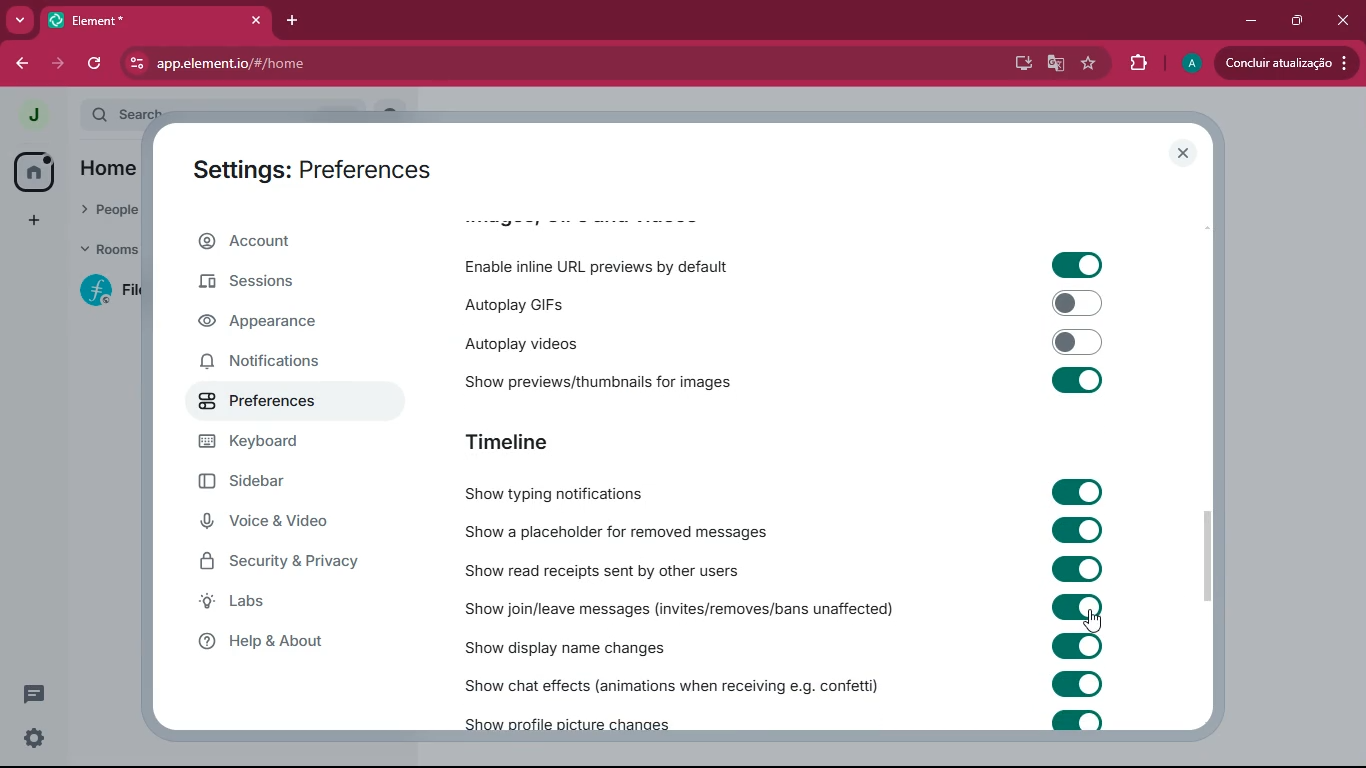 This screenshot has width=1366, height=768. Describe the element at coordinates (1021, 64) in the screenshot. I see `desktop` at that location.